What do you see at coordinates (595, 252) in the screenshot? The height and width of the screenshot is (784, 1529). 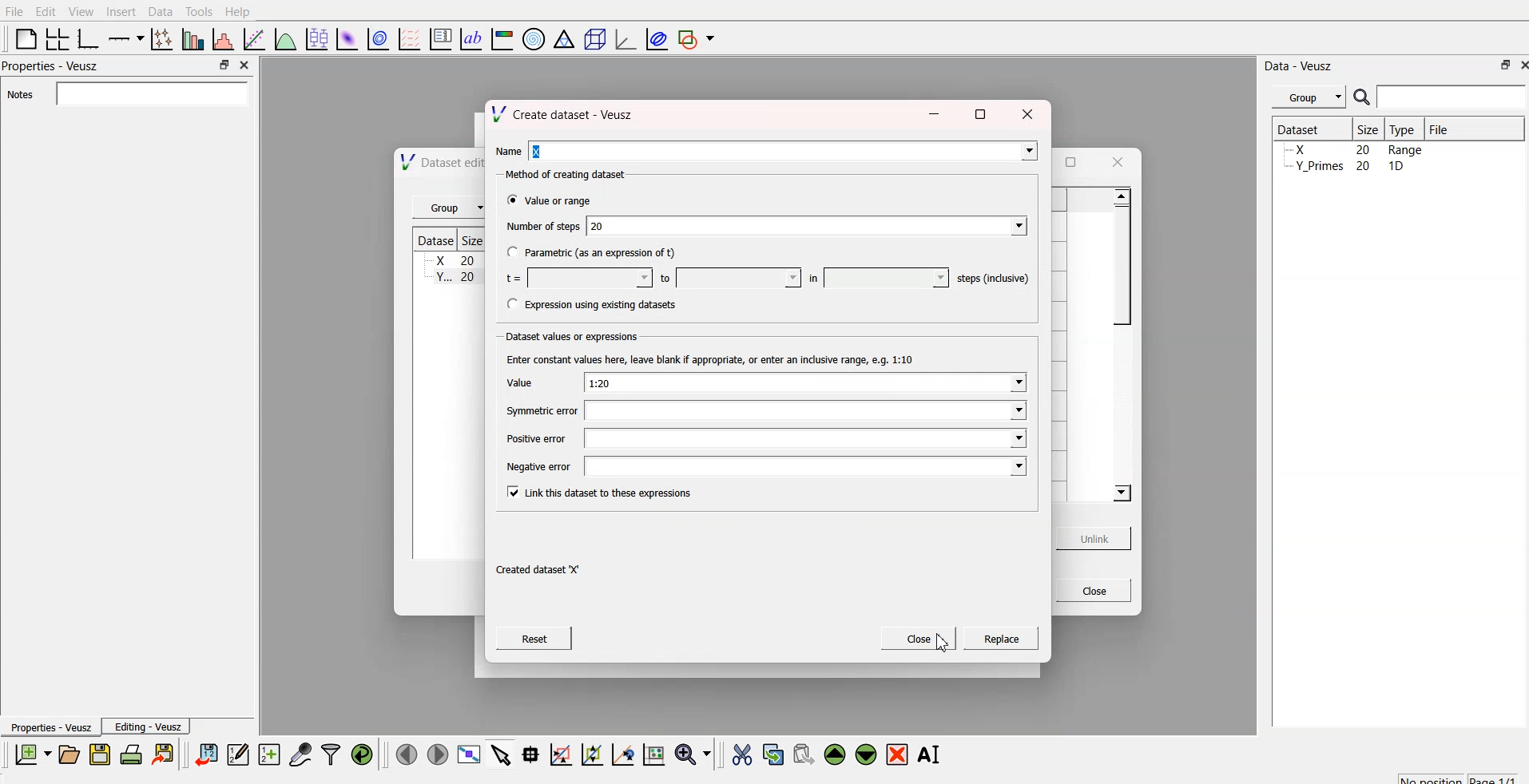 I see `("Parametric (as an expression of t)` at bounding box center [595, 252].